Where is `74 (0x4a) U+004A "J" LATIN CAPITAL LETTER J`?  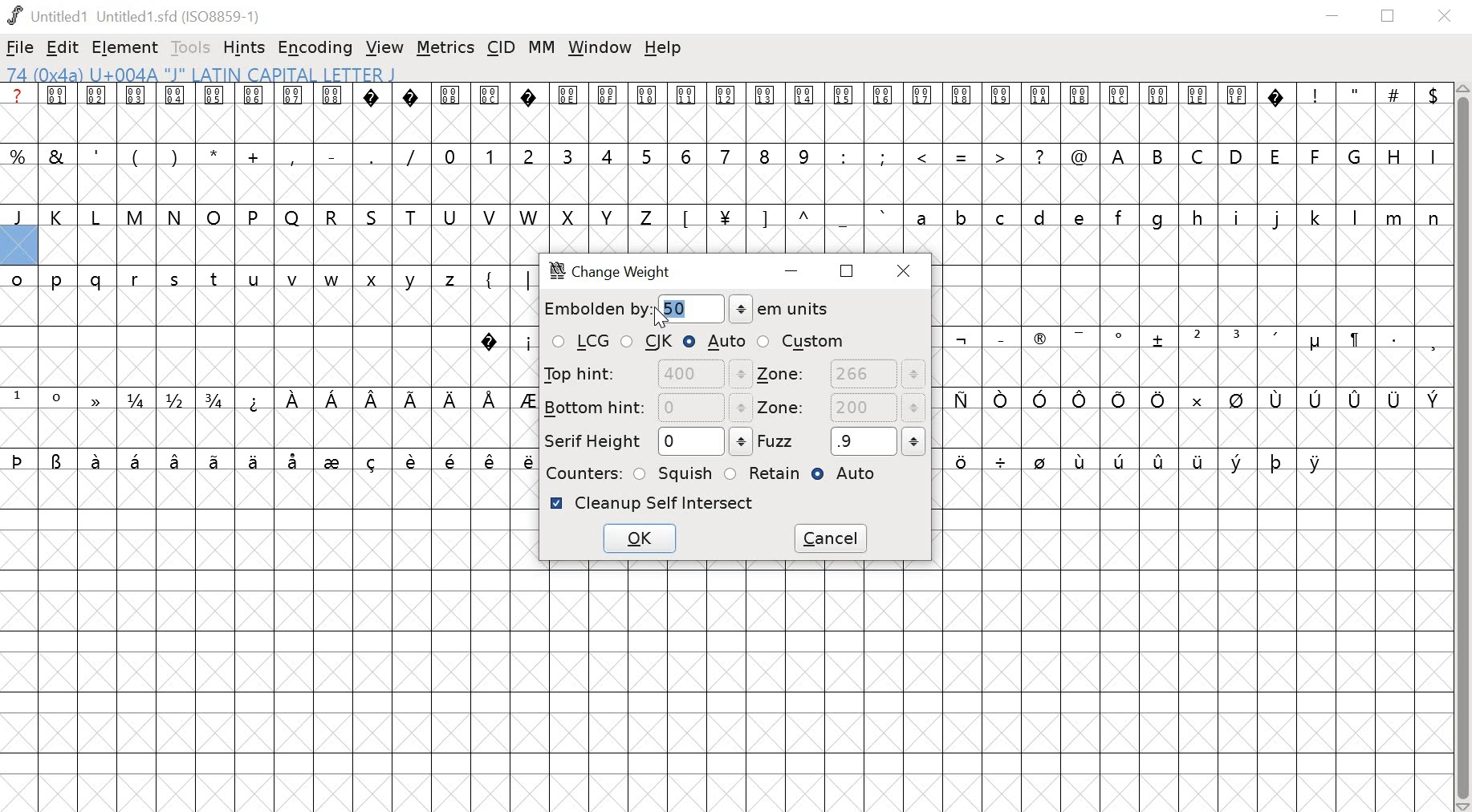 74 (0x4a) U+004A "J" LATIN CAPITAL LETTER J is located at coordinates (303, 74).